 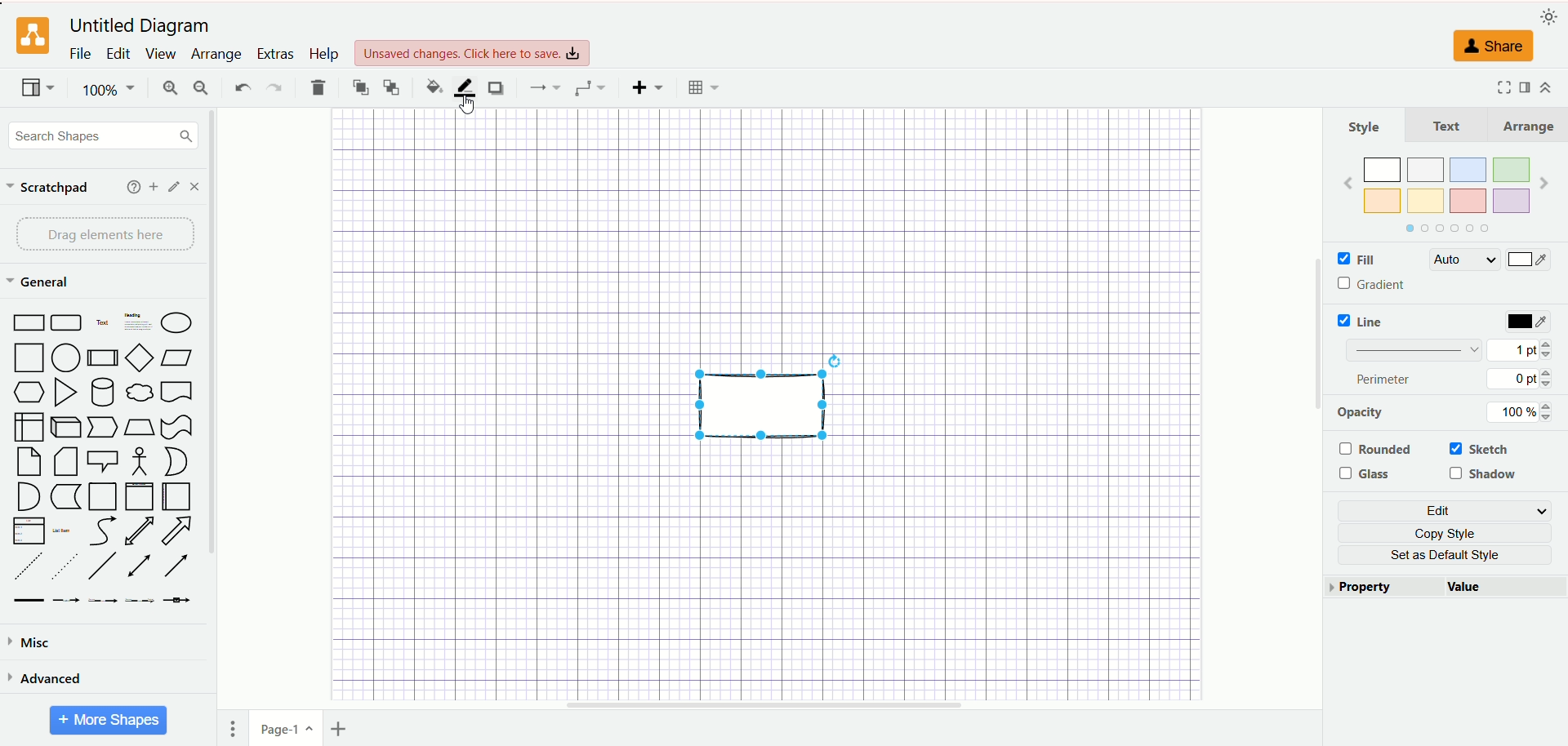 I want to click on arrange, so click(x=1532, y=127).